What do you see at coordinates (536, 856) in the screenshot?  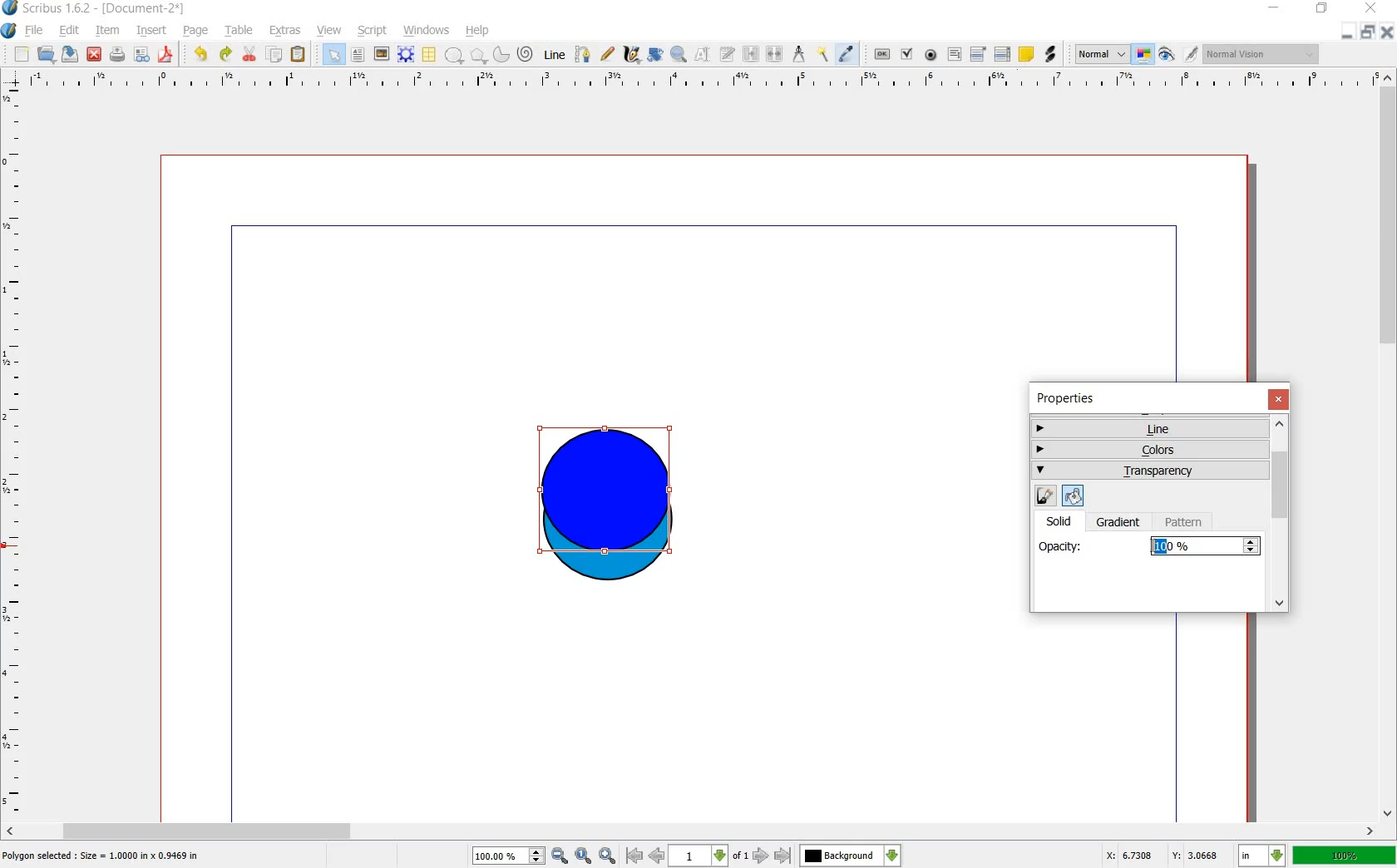 I see `increase or decrease zoom` at bounding box center [536, 856].